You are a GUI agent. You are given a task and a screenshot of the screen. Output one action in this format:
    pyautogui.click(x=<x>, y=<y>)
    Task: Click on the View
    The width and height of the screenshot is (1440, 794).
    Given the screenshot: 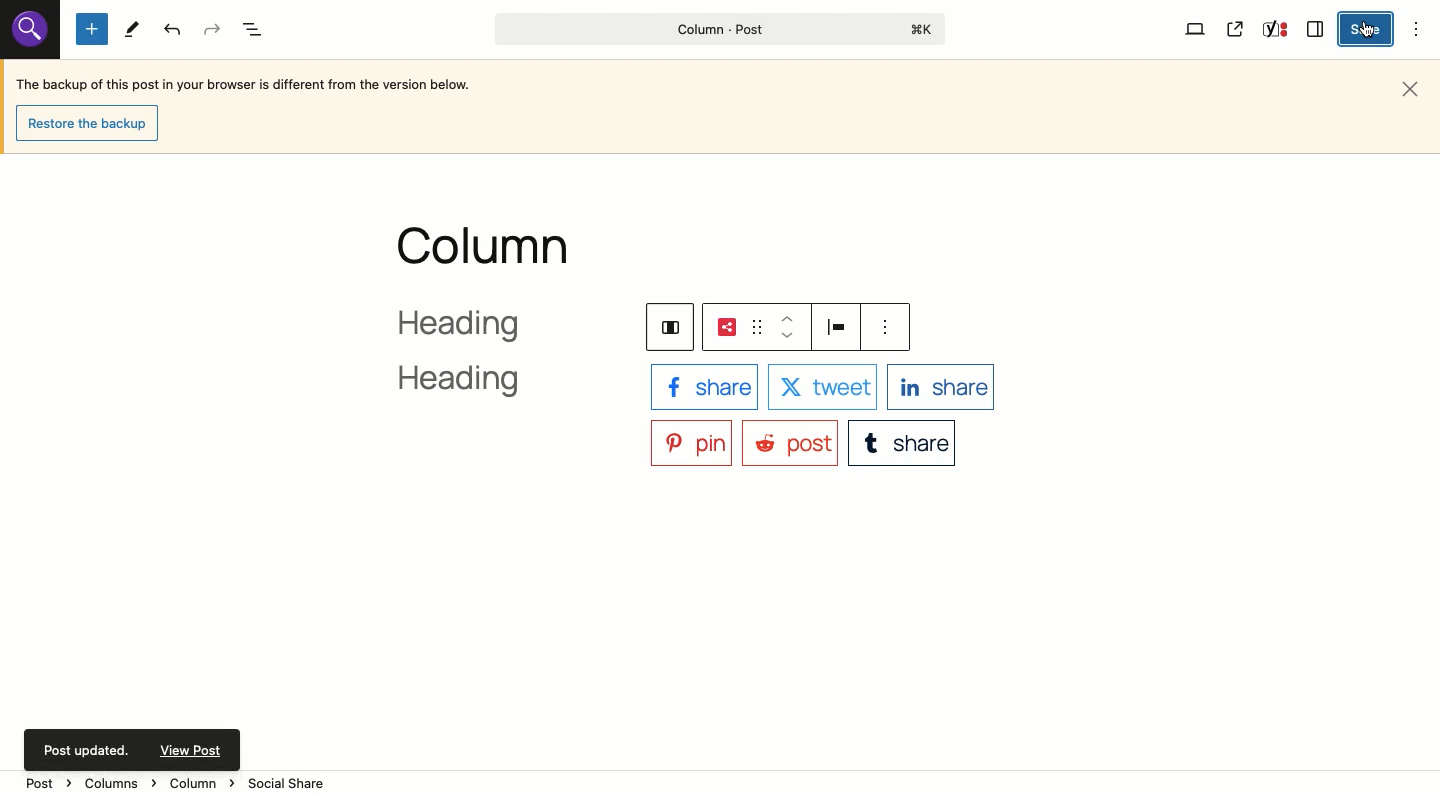 What is the action you would take?
    pyautogui.click(x=1196, y=28)
    